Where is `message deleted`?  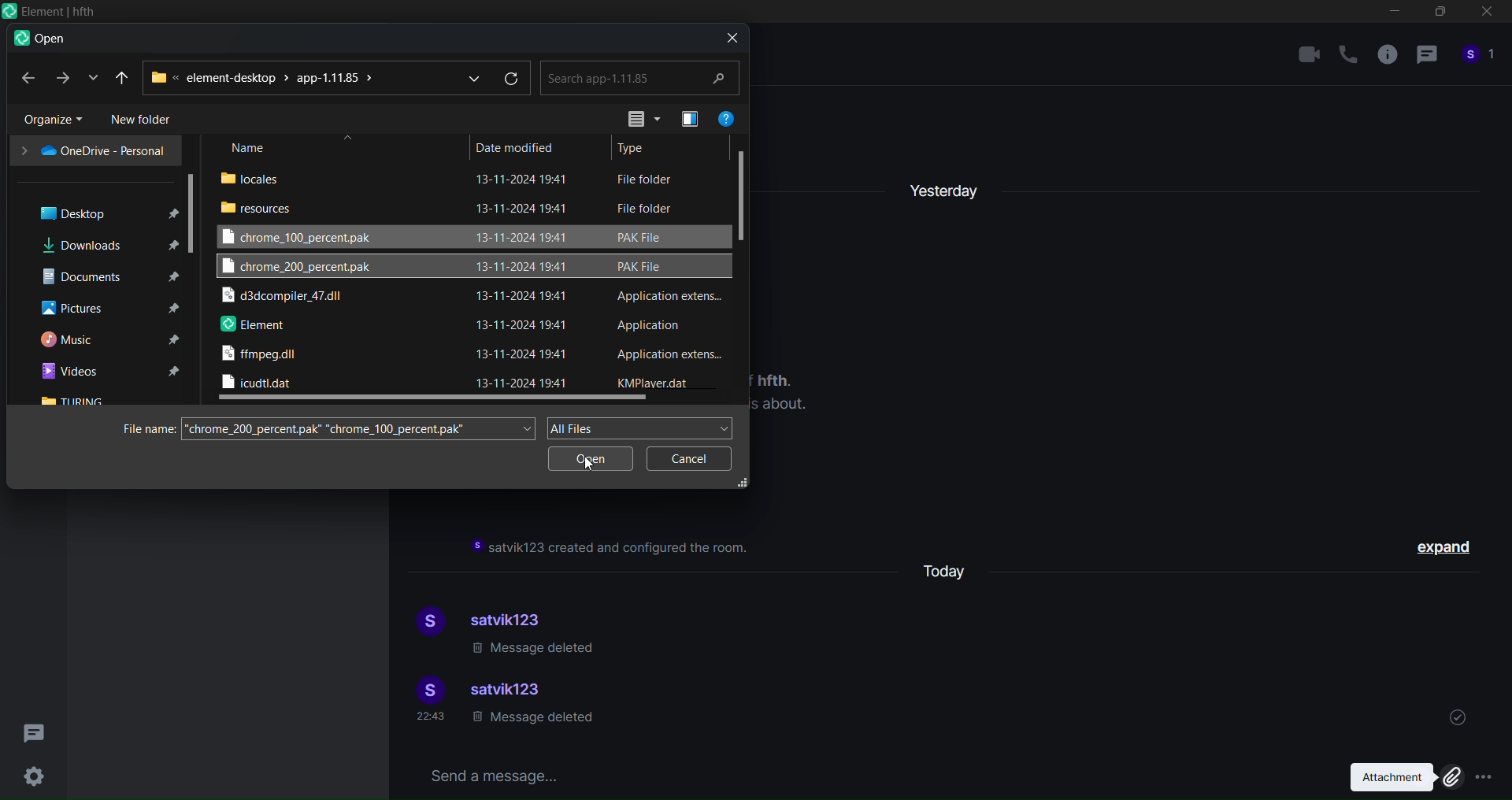 message deleted is located at coordinates (532, 721).